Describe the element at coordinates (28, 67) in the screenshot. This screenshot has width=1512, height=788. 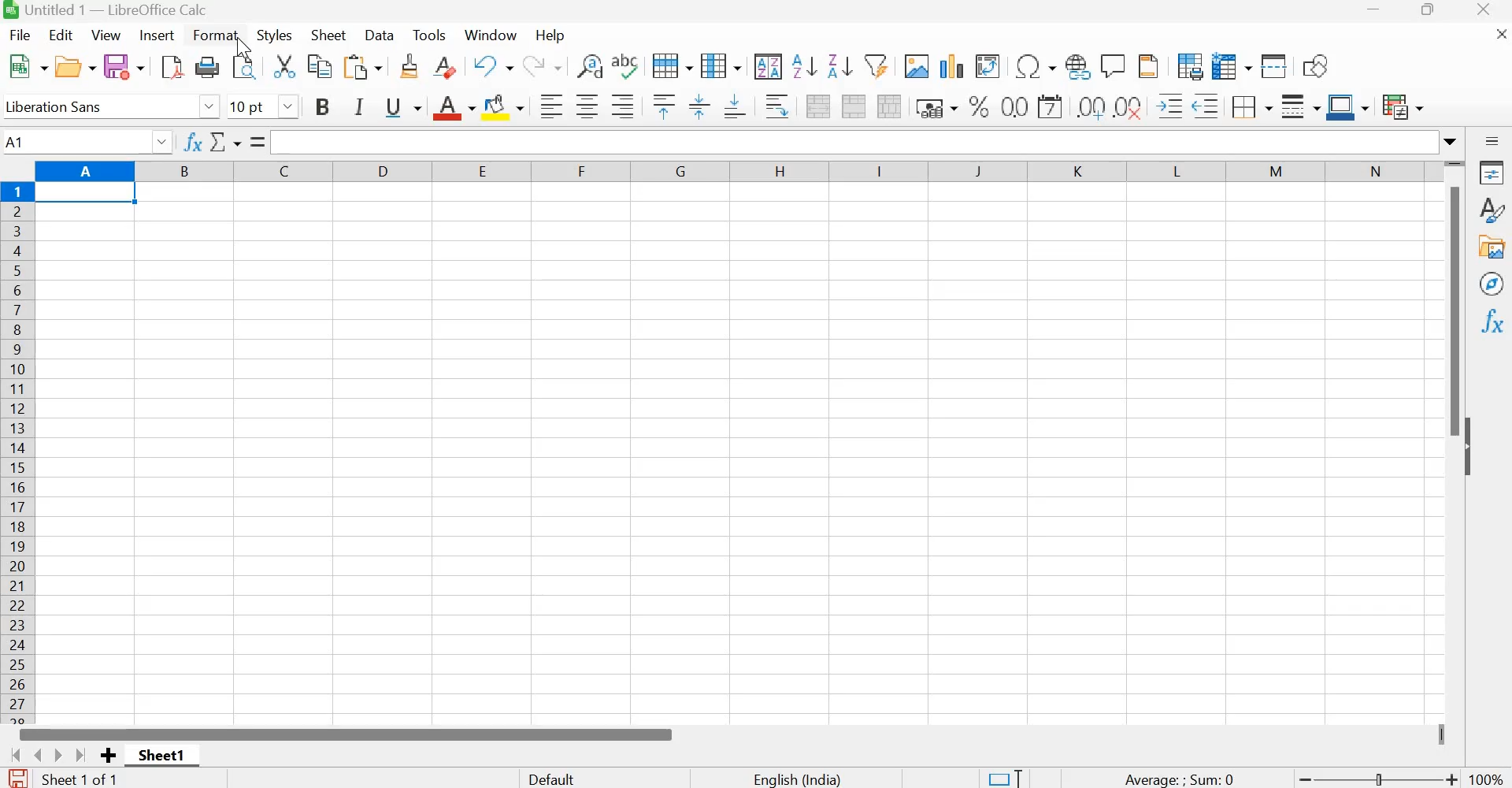
I see `New` at that location.